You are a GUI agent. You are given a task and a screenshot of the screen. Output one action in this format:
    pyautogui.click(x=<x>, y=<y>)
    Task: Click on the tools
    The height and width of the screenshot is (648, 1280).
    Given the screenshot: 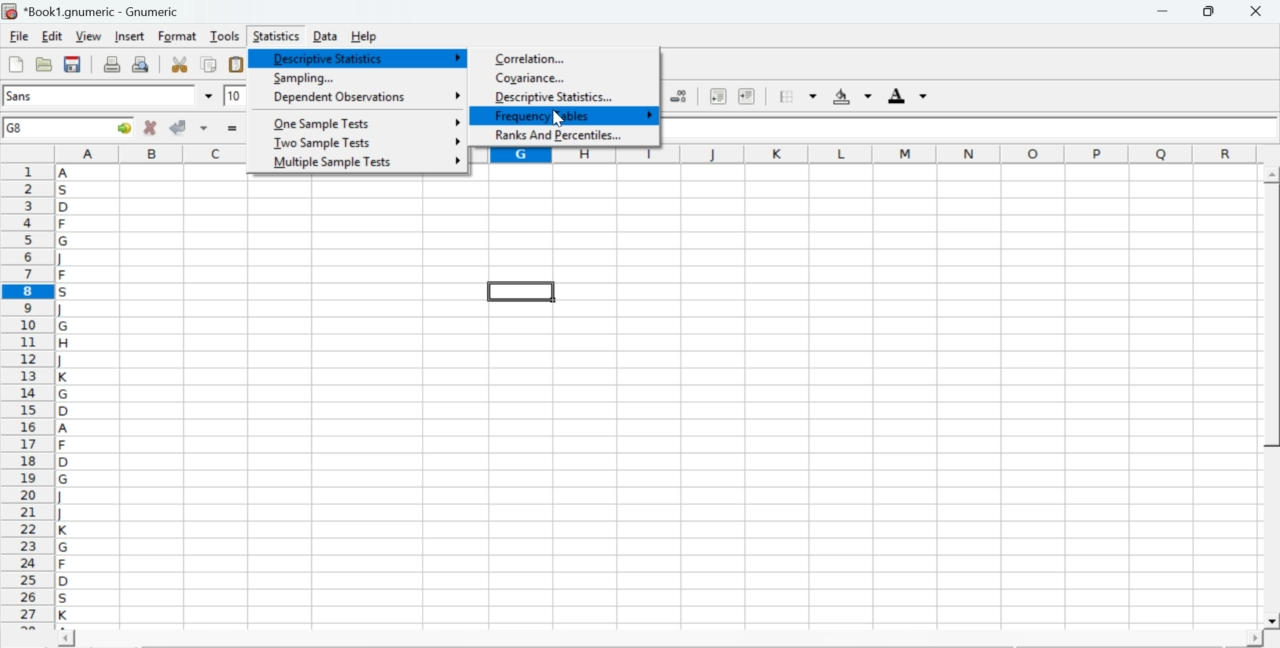 What is the action you would take?
    pyautogui.click(x=226, y=35)
    